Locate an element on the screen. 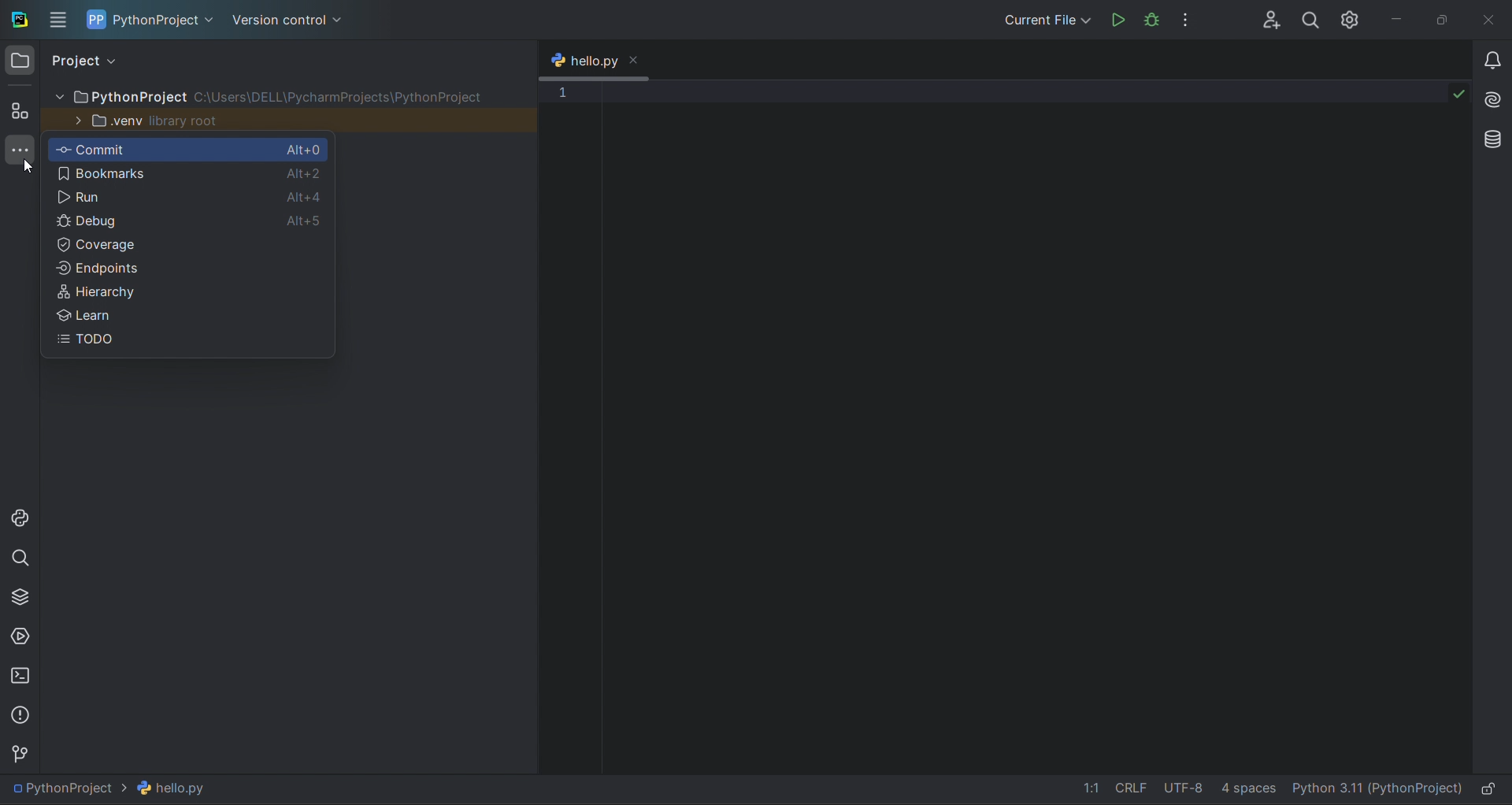 This screenshot has width=1512, height=805. cursor is located at coordinates (27, 169).